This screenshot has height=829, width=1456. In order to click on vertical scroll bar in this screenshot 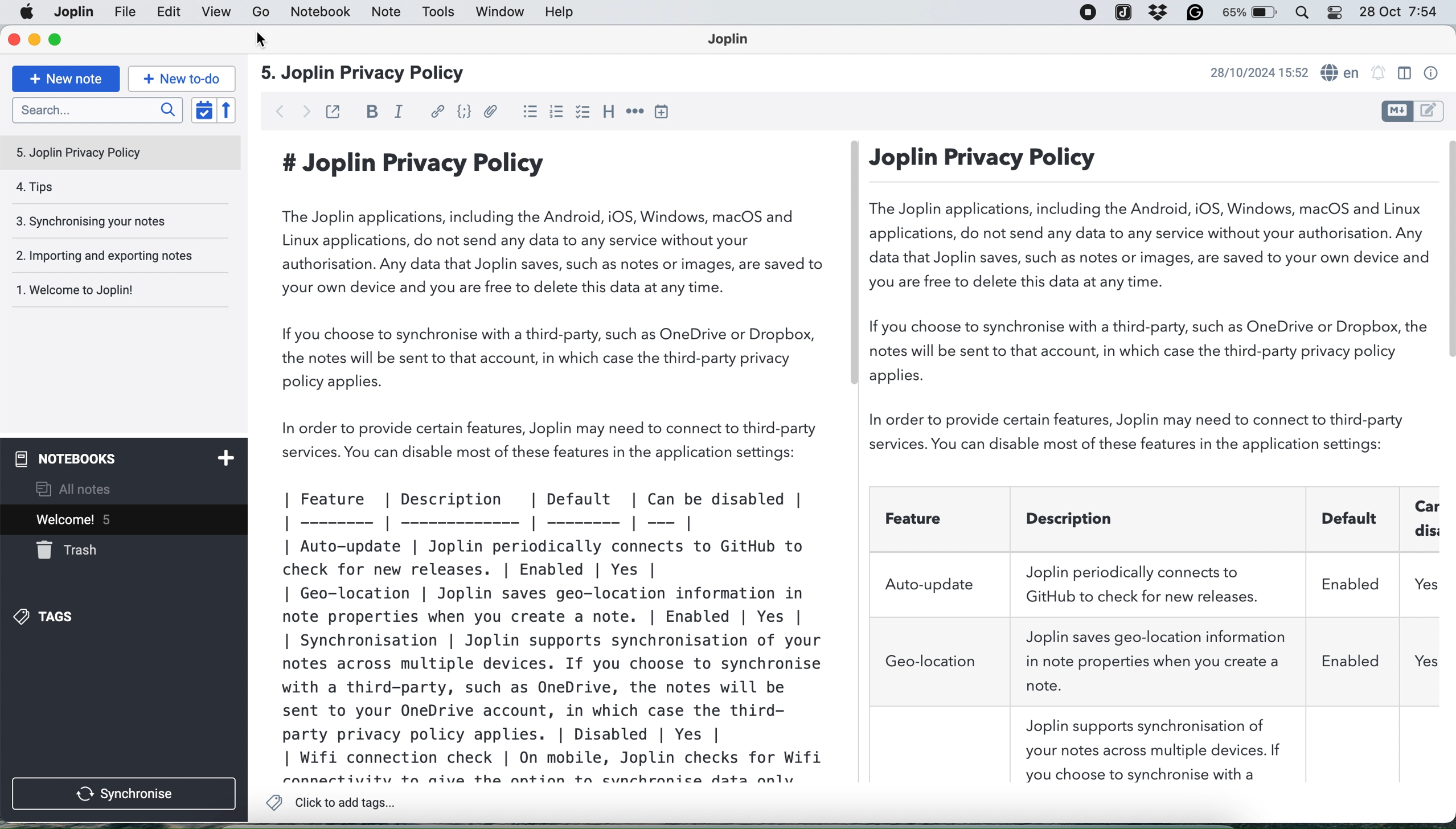, I will do `click(857, 263)`.